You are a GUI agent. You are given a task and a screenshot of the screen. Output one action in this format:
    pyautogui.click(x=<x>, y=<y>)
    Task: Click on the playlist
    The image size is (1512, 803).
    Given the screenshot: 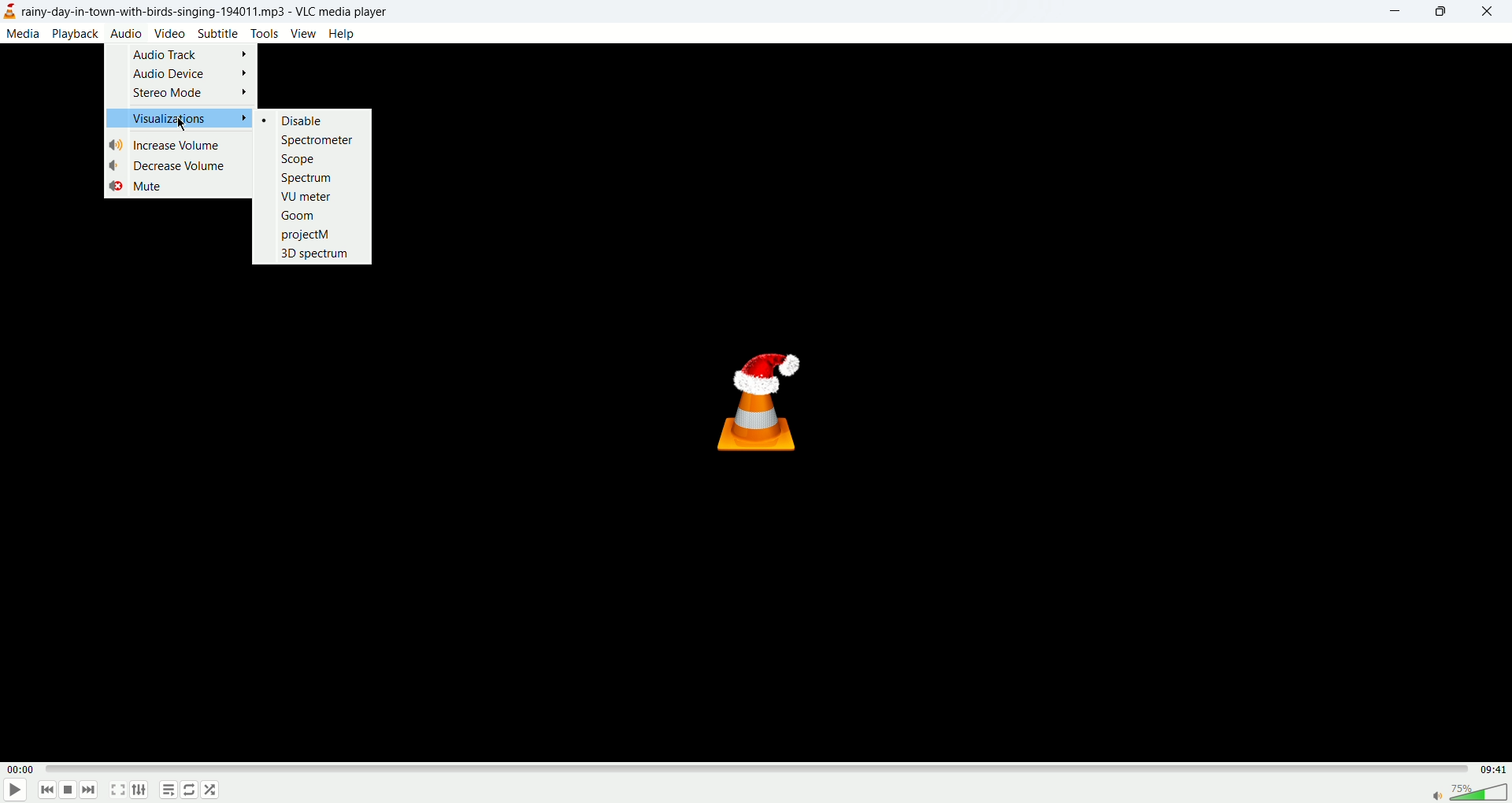 What is the action you would take?
    pyautogui.click(x=169, y=792)
    